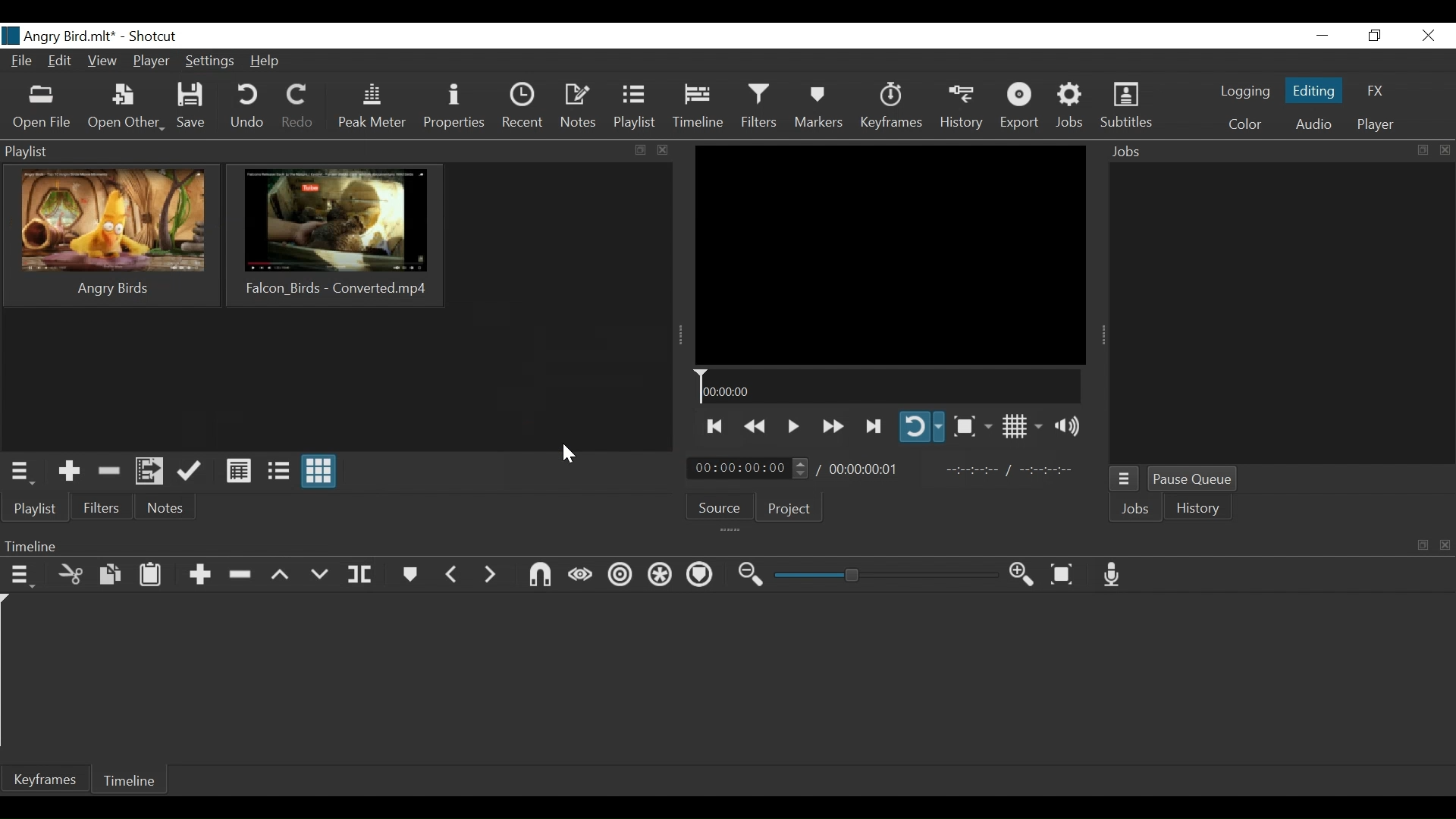 The height and width of the screenshot is (819, 1456). I want to click on File, so click(22, 61).